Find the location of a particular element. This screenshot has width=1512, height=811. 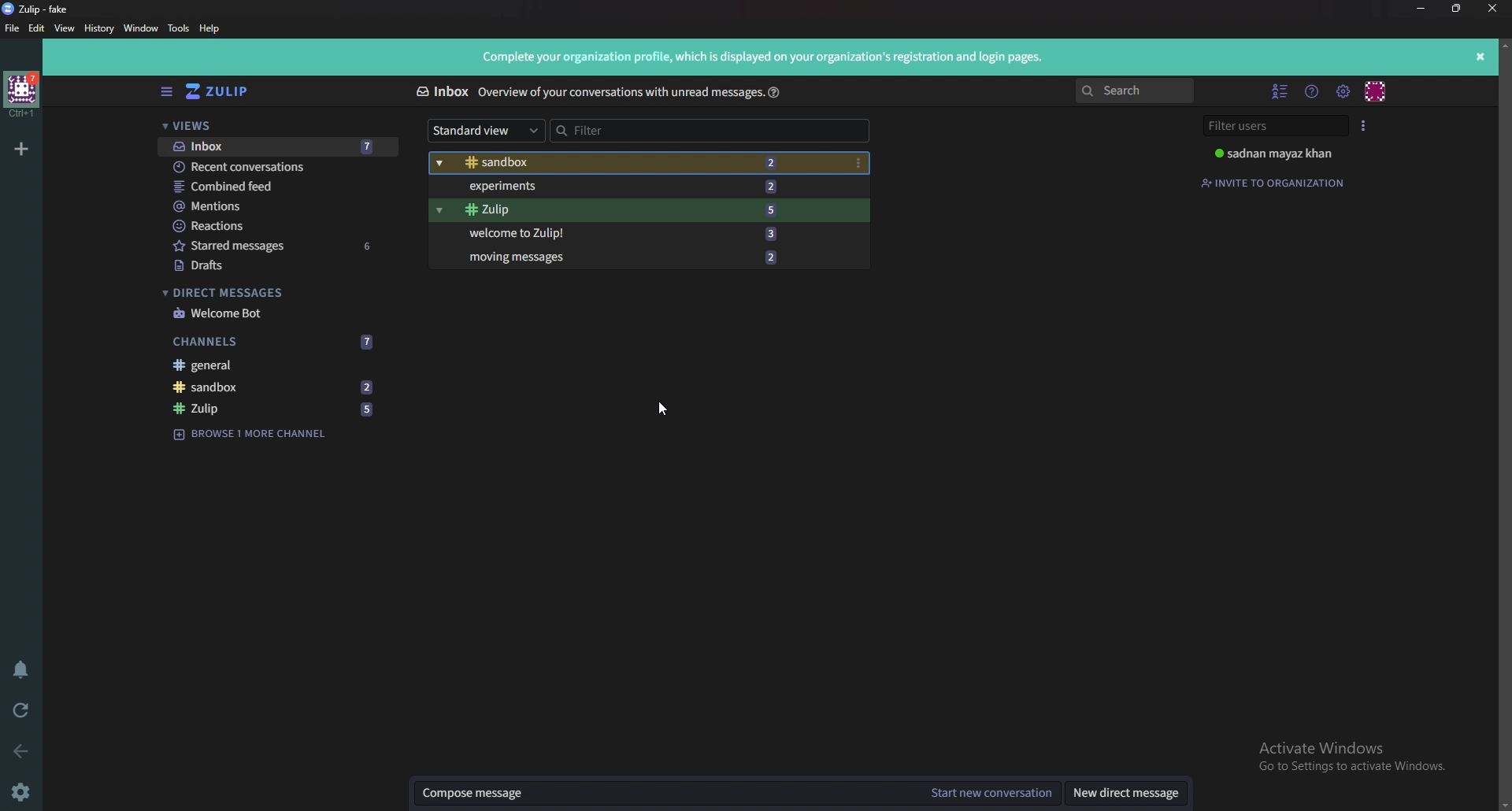

Personal menu is located at coordinates (1377, 90).